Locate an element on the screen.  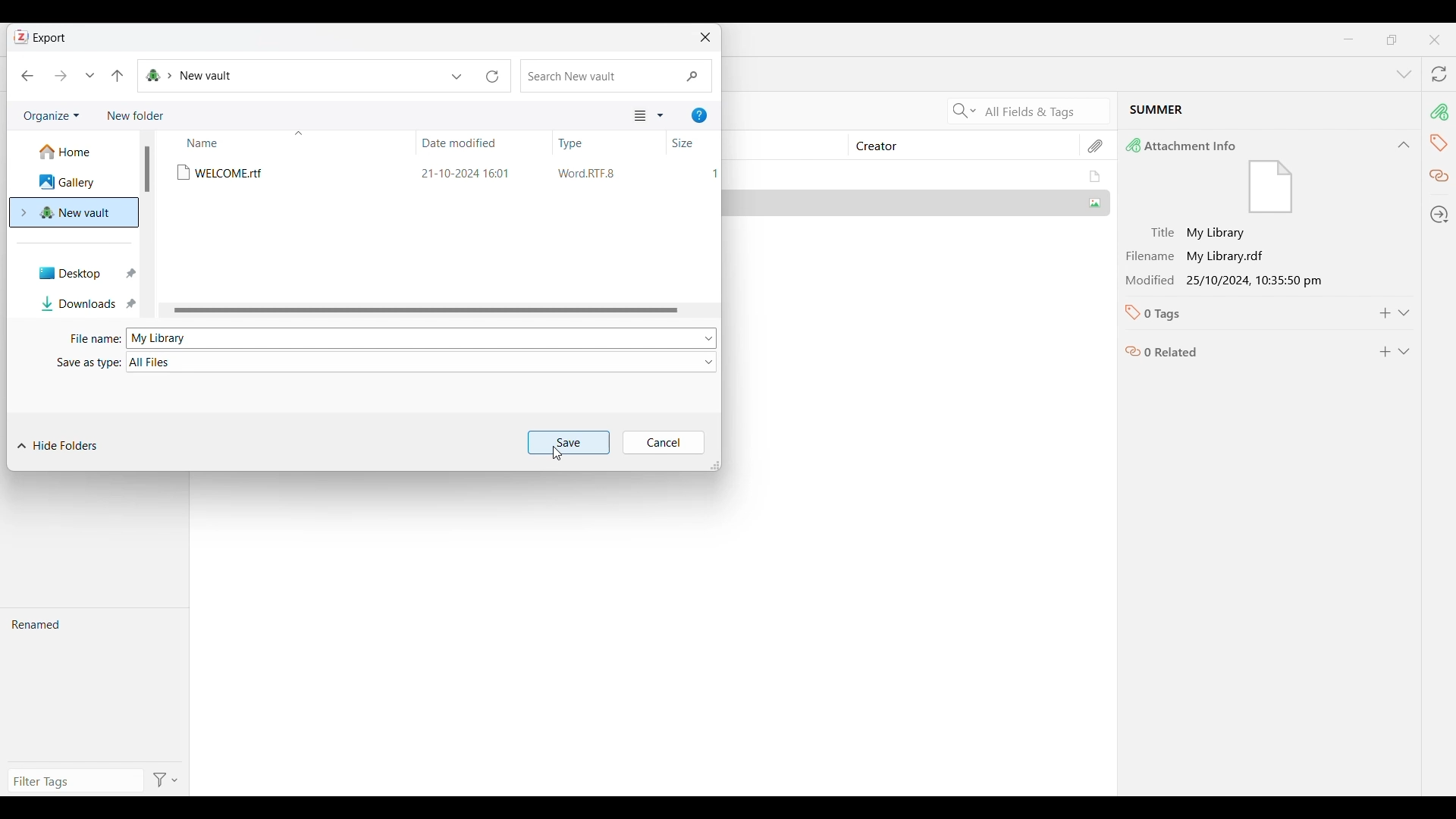
My Library is located at coordinates (919, 177).